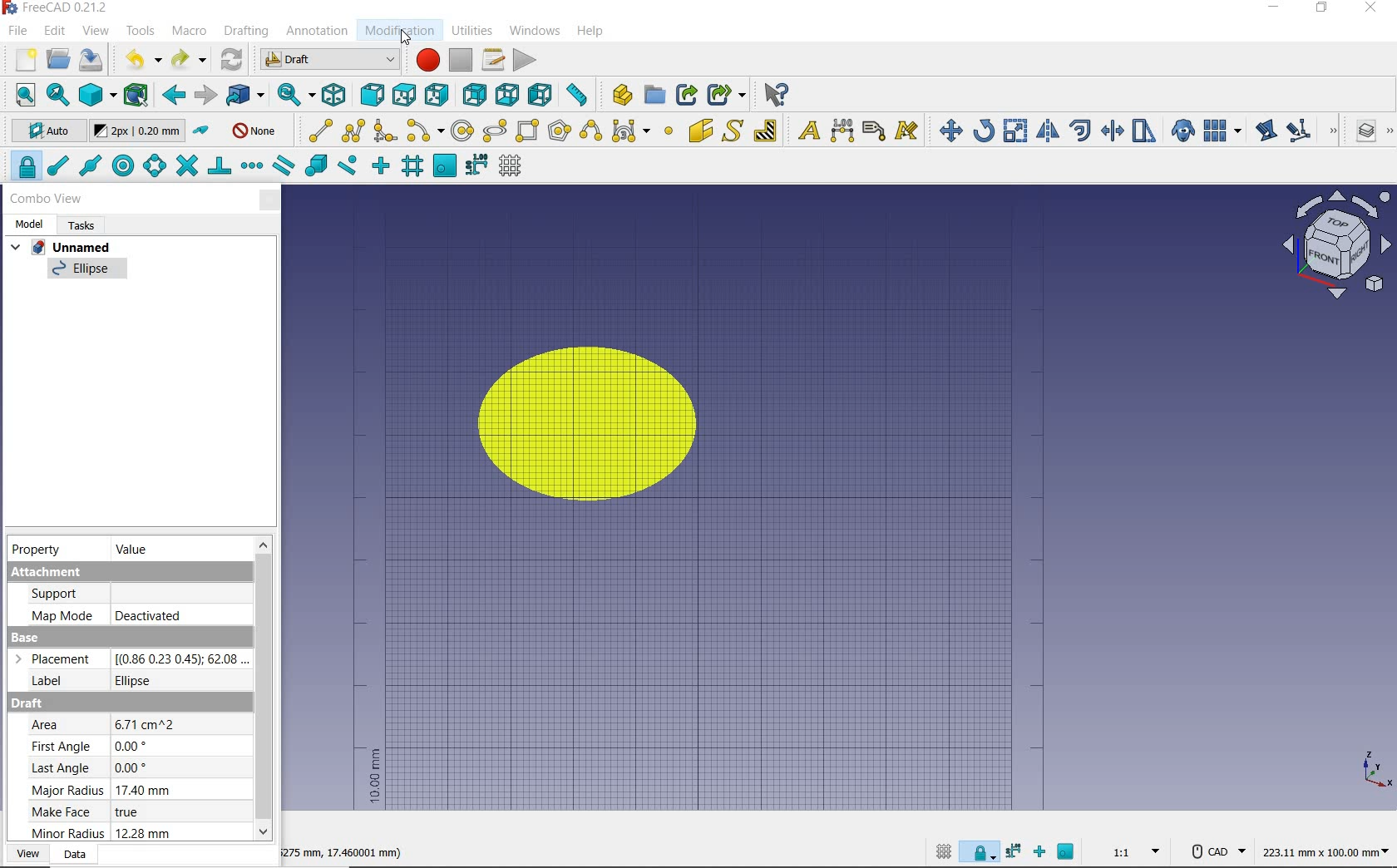 The height and width of the screenshot is (868, 1397). Describe the element at coordinates (577, 422) in the screenshot. I see `sketch design` at that location.